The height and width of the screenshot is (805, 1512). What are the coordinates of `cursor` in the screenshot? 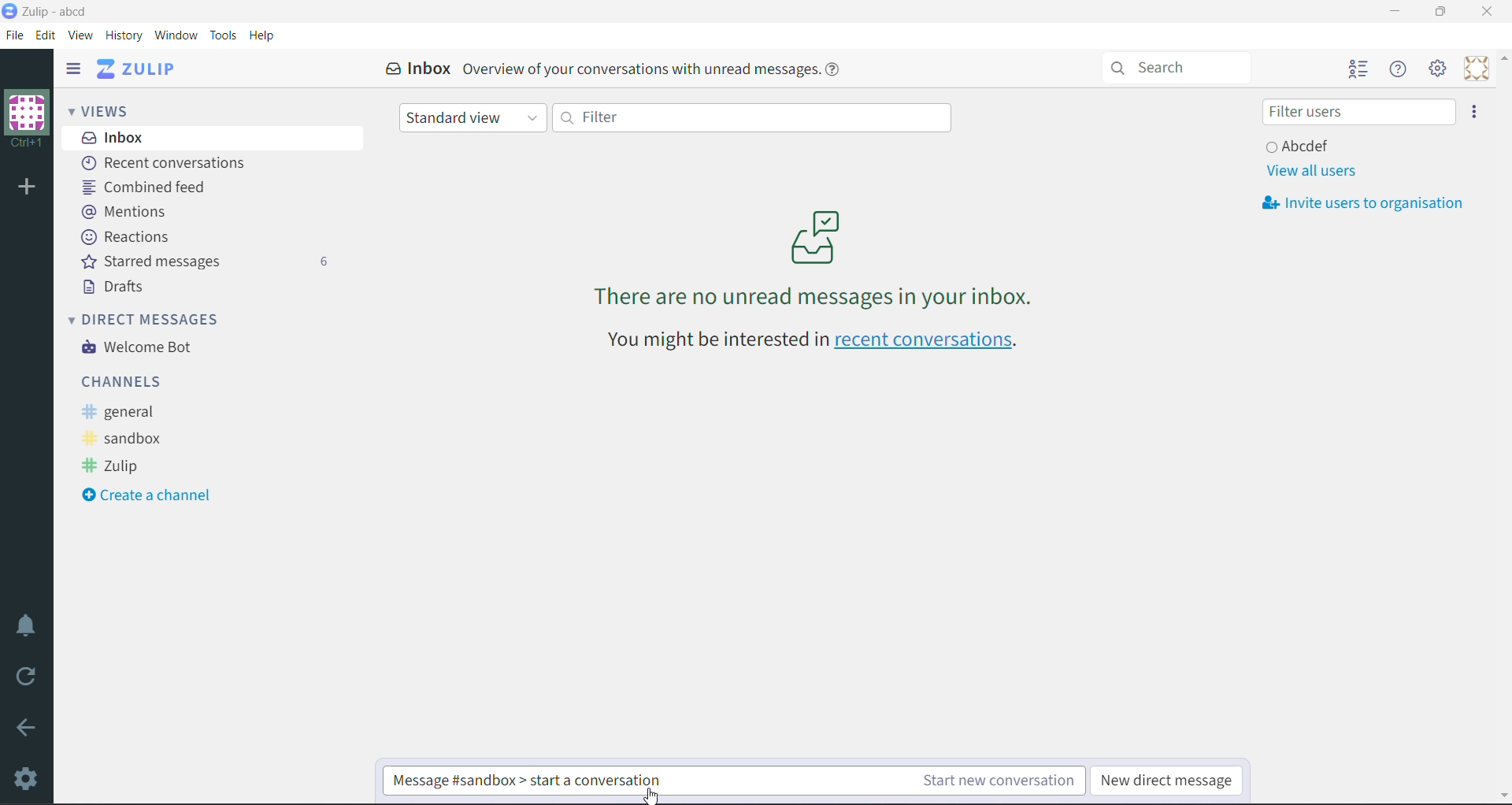 It's located at (652, 794).